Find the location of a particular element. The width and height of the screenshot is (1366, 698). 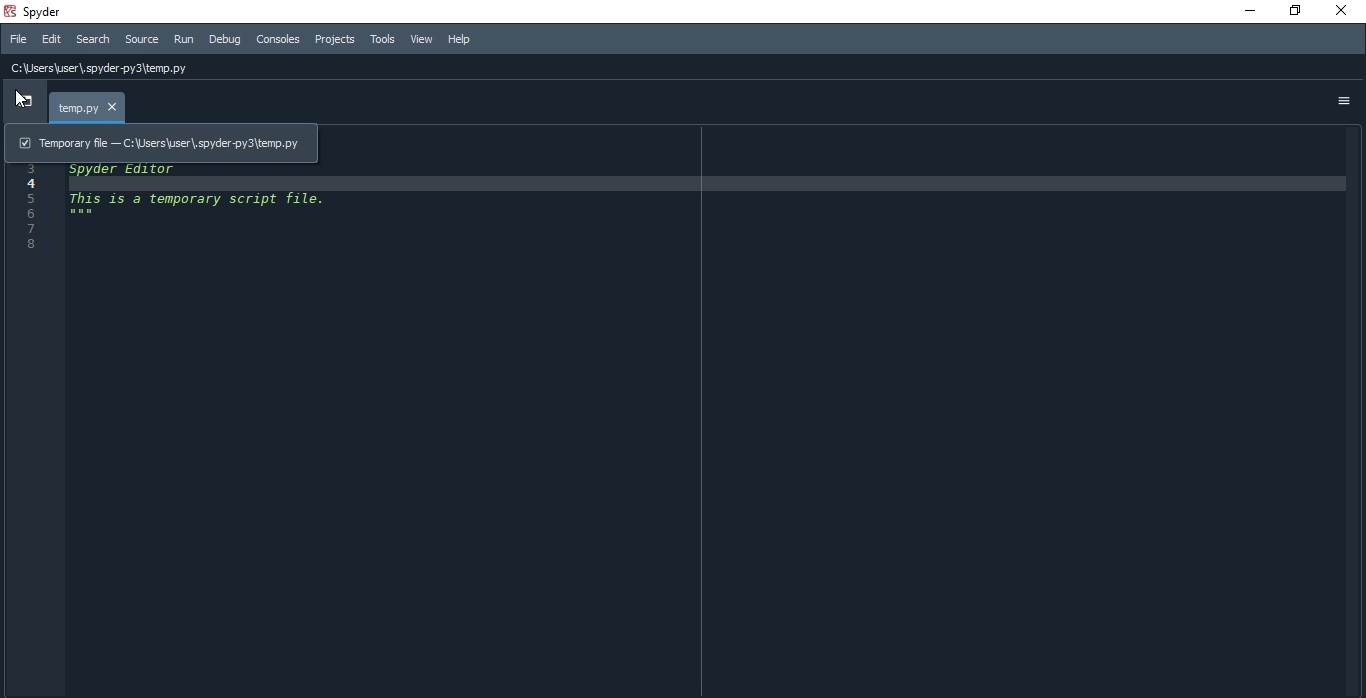

View is located at coordinates (422, 40).